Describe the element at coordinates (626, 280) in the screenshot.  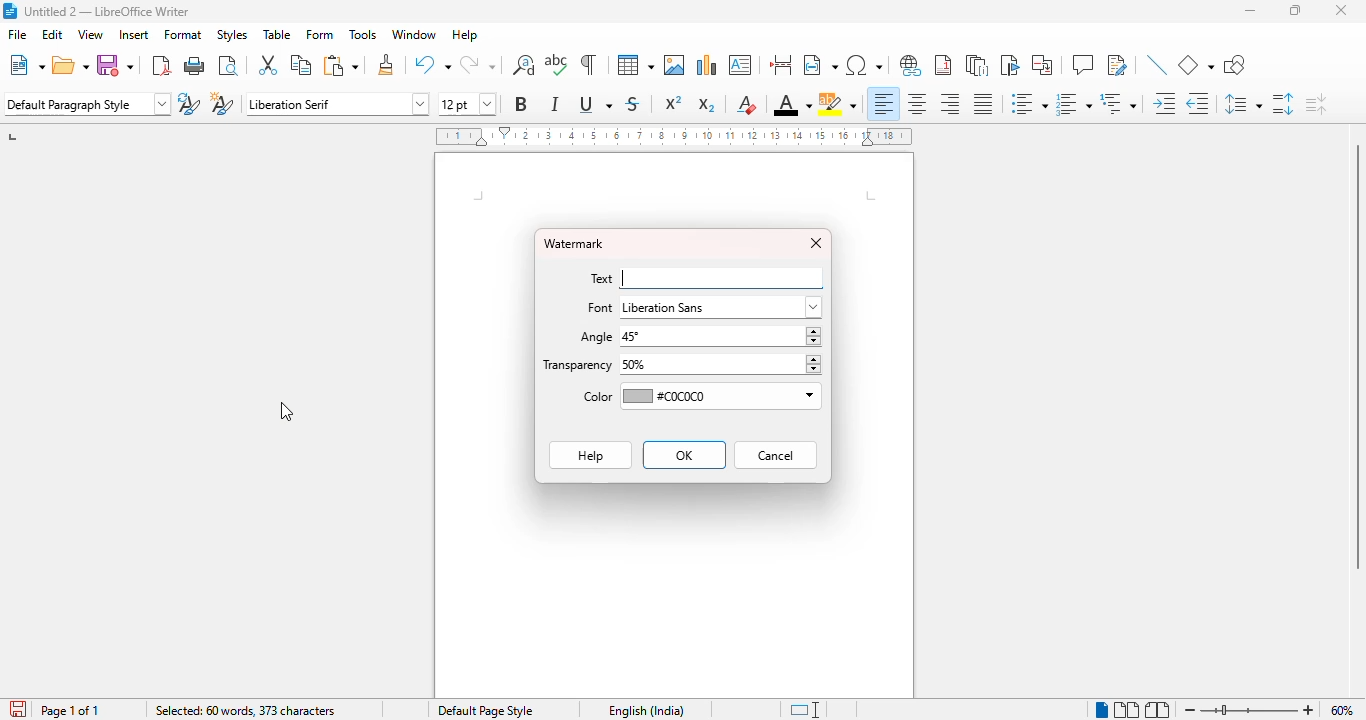
I see `typing cursor` at that location.